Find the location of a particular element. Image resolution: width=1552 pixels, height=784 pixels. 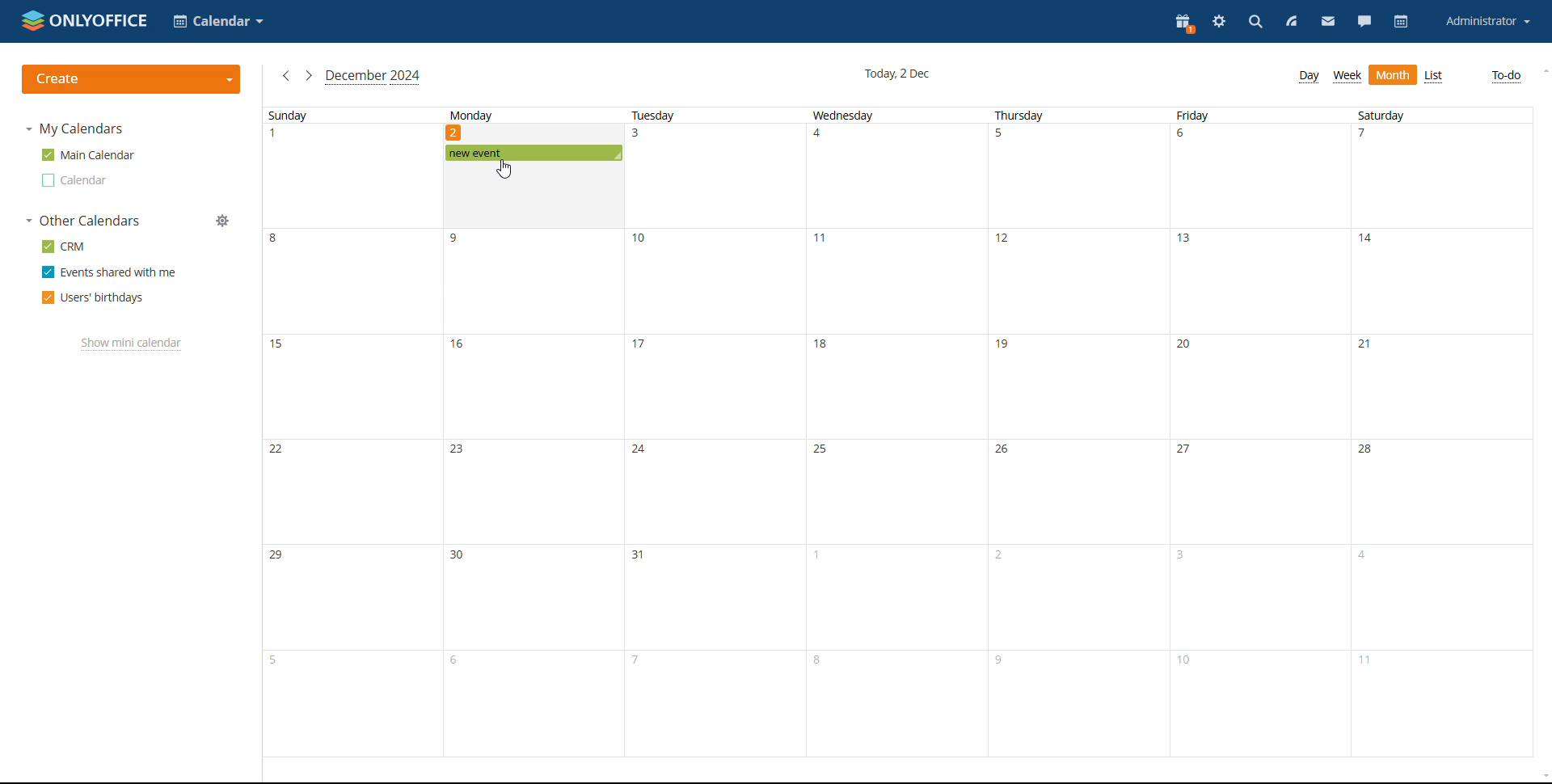

next month is located at coordinates (308, 75).